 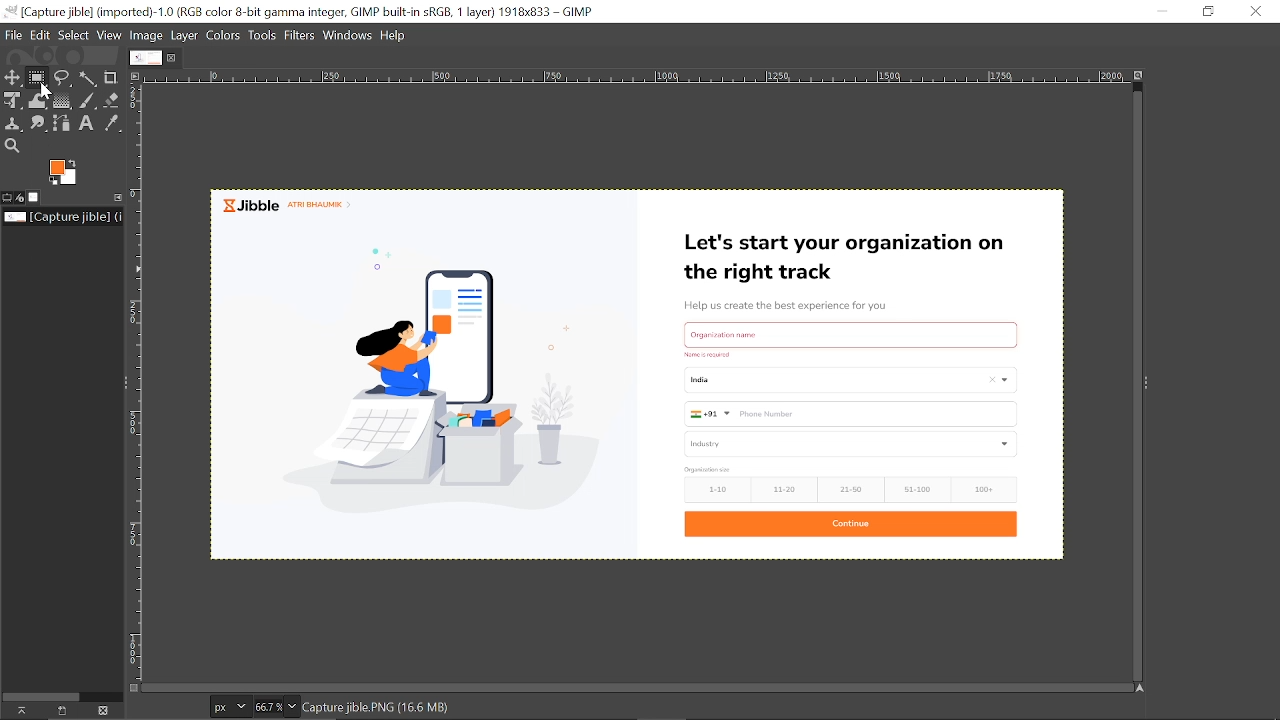 What do you see at coordinates (1166, 11) in the screenshot?
I see `Minimize` at bounding box center [1166, 11].